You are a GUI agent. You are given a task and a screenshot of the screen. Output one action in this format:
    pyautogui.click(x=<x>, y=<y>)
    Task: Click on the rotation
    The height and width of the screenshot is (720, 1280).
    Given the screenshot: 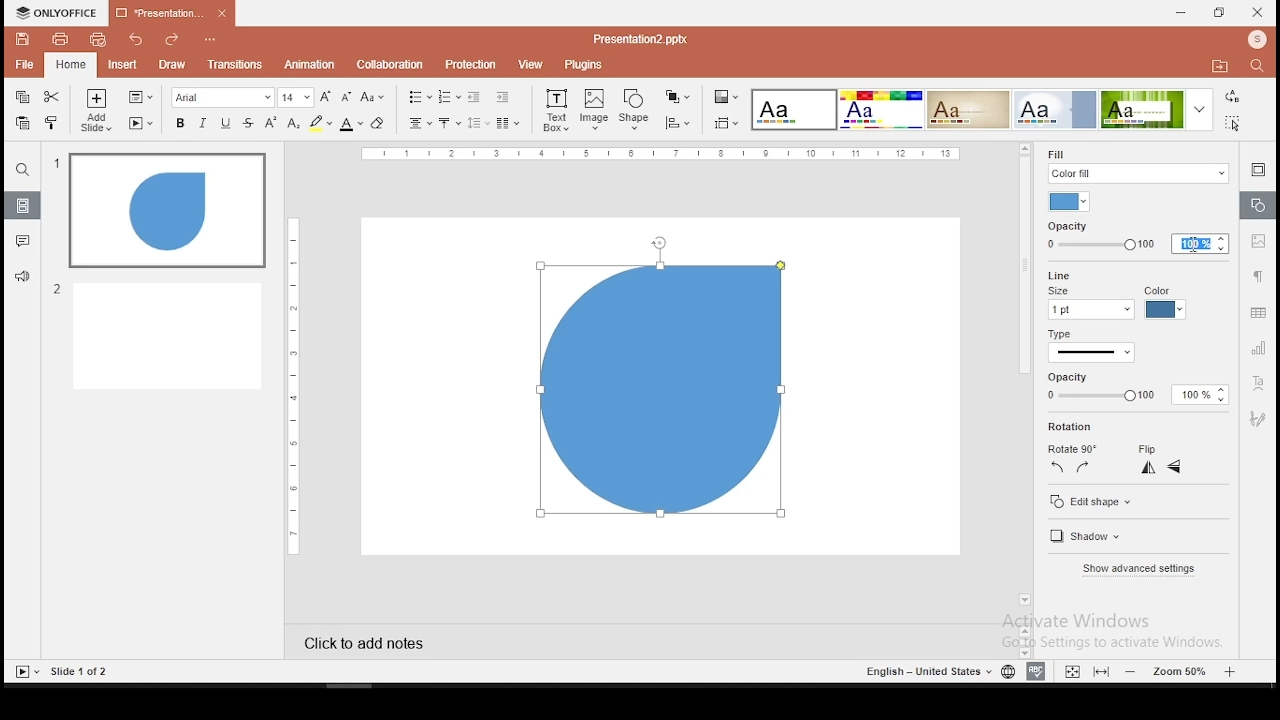 What is the action you would take?
    pyautogui.click(x=1073, y=427)
    